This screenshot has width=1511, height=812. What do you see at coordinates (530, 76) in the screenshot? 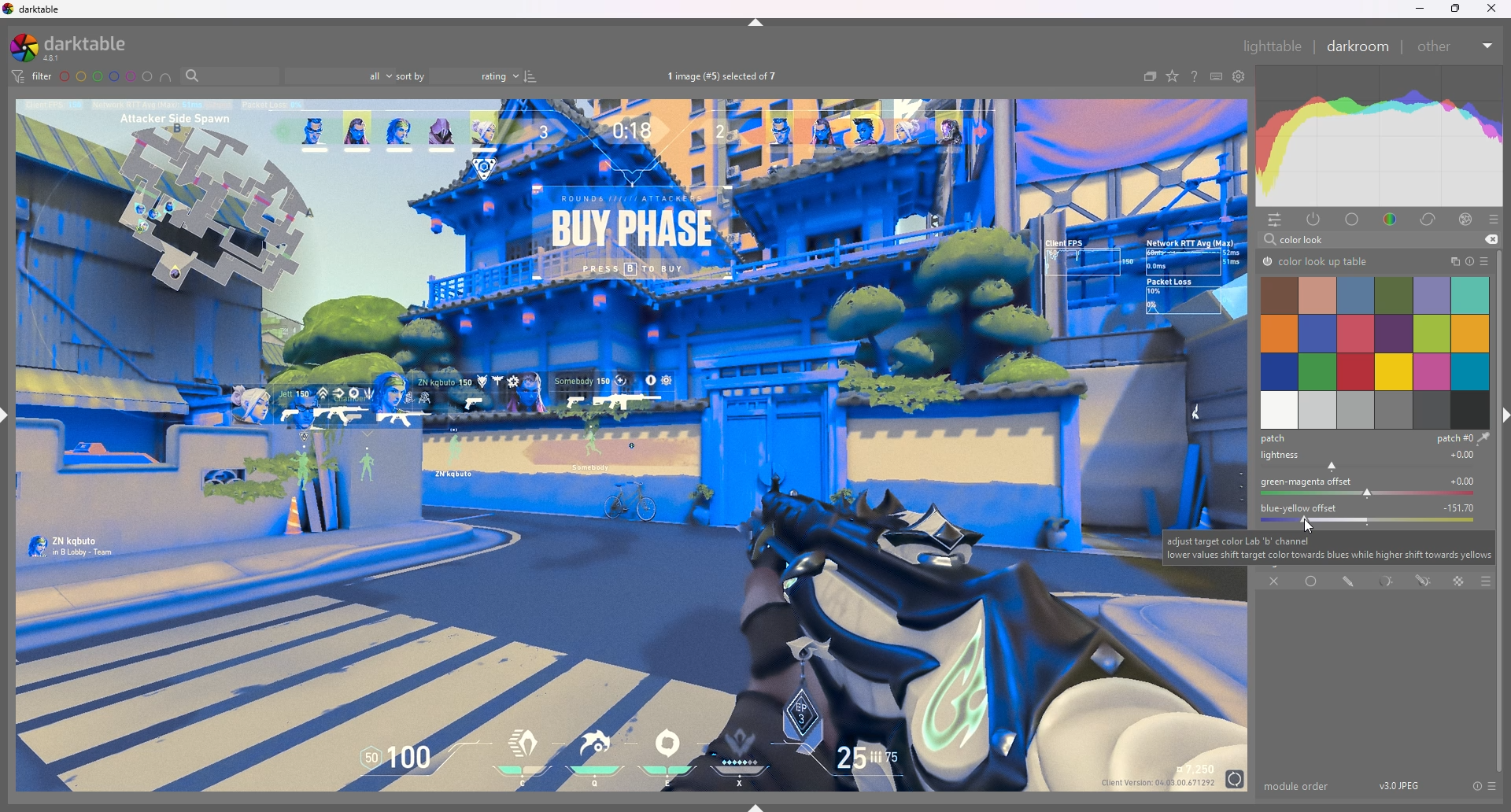
I see `reverse sort order` at bounding box center [530, 76].